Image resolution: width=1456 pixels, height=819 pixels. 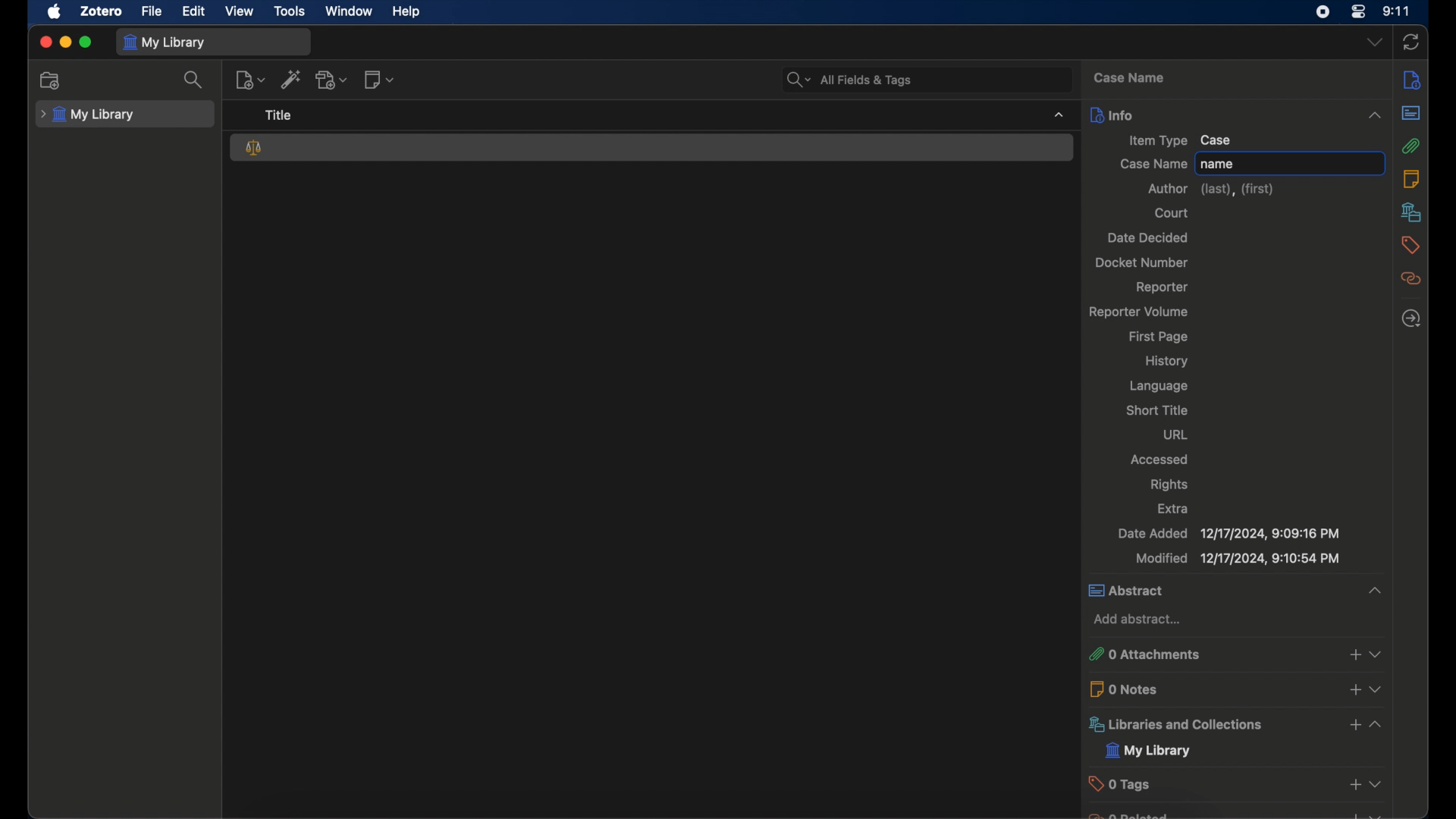 What do you see at coordinates (1237, 724) in the screenshot?
I see `libraries` at bounding box center [1237, 724].